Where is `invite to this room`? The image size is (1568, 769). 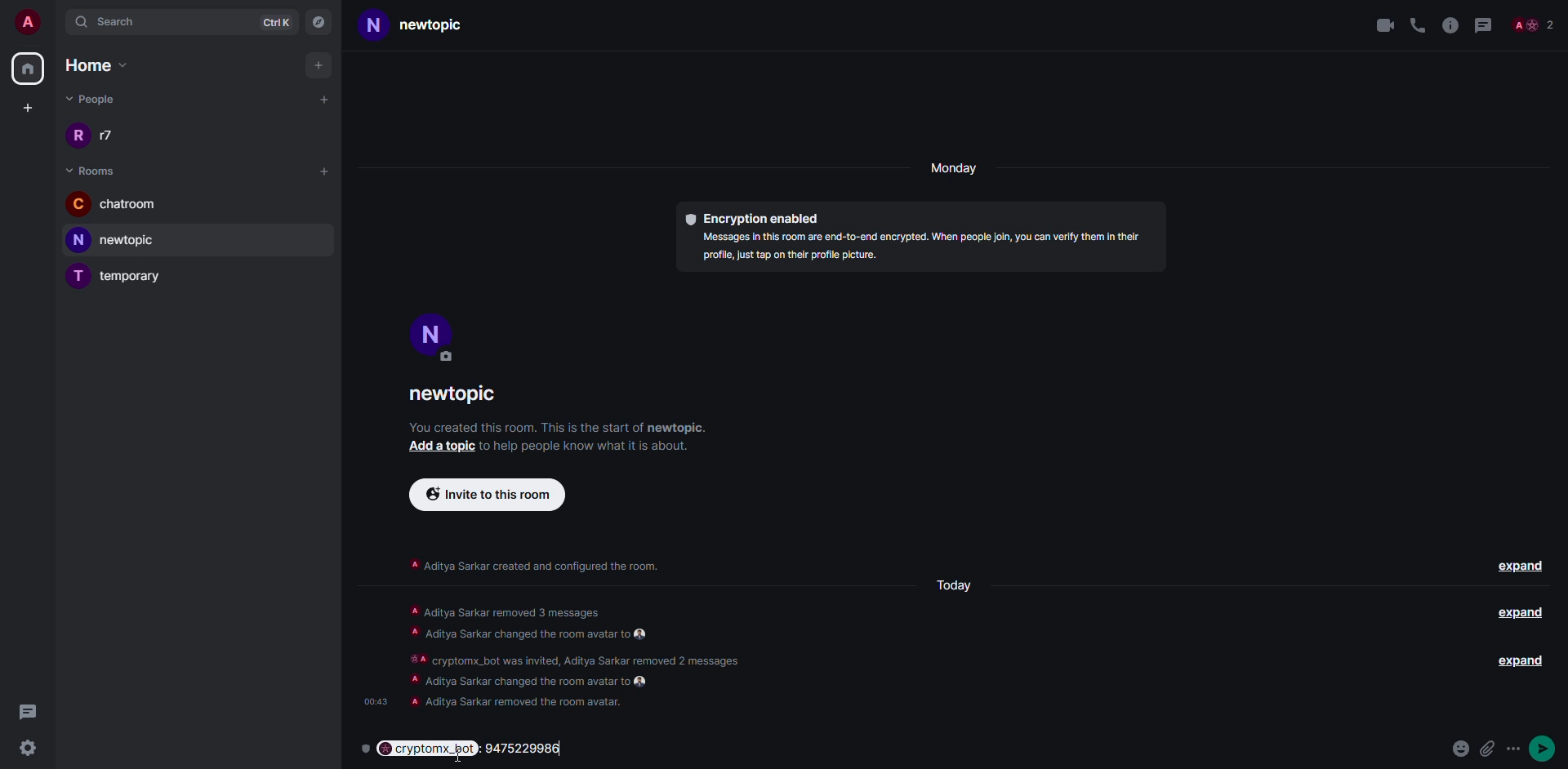
invite to this room is located at coordinates (487, 493).